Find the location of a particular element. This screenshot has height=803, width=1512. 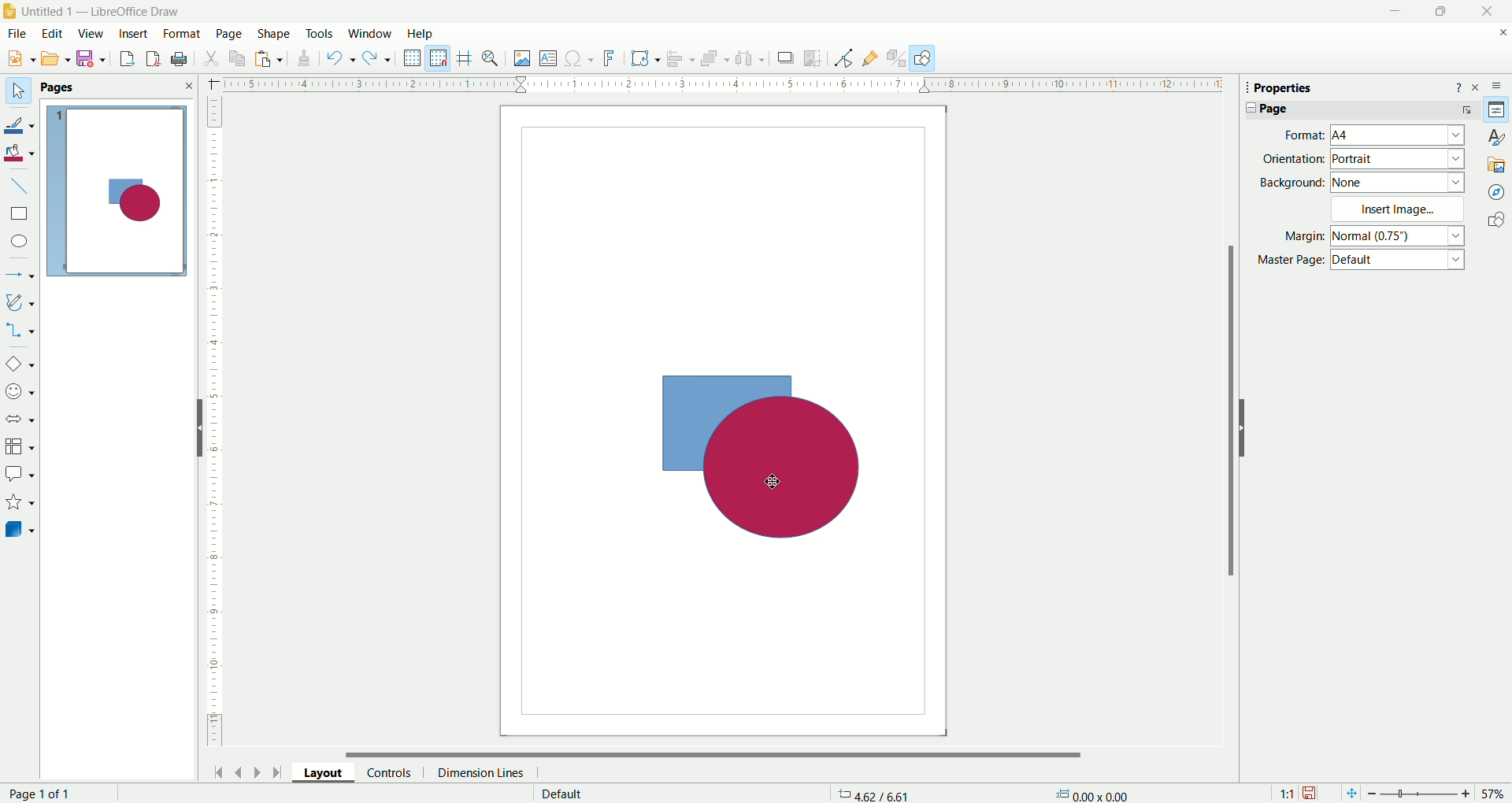

line color is located at coordinates (24, 121).